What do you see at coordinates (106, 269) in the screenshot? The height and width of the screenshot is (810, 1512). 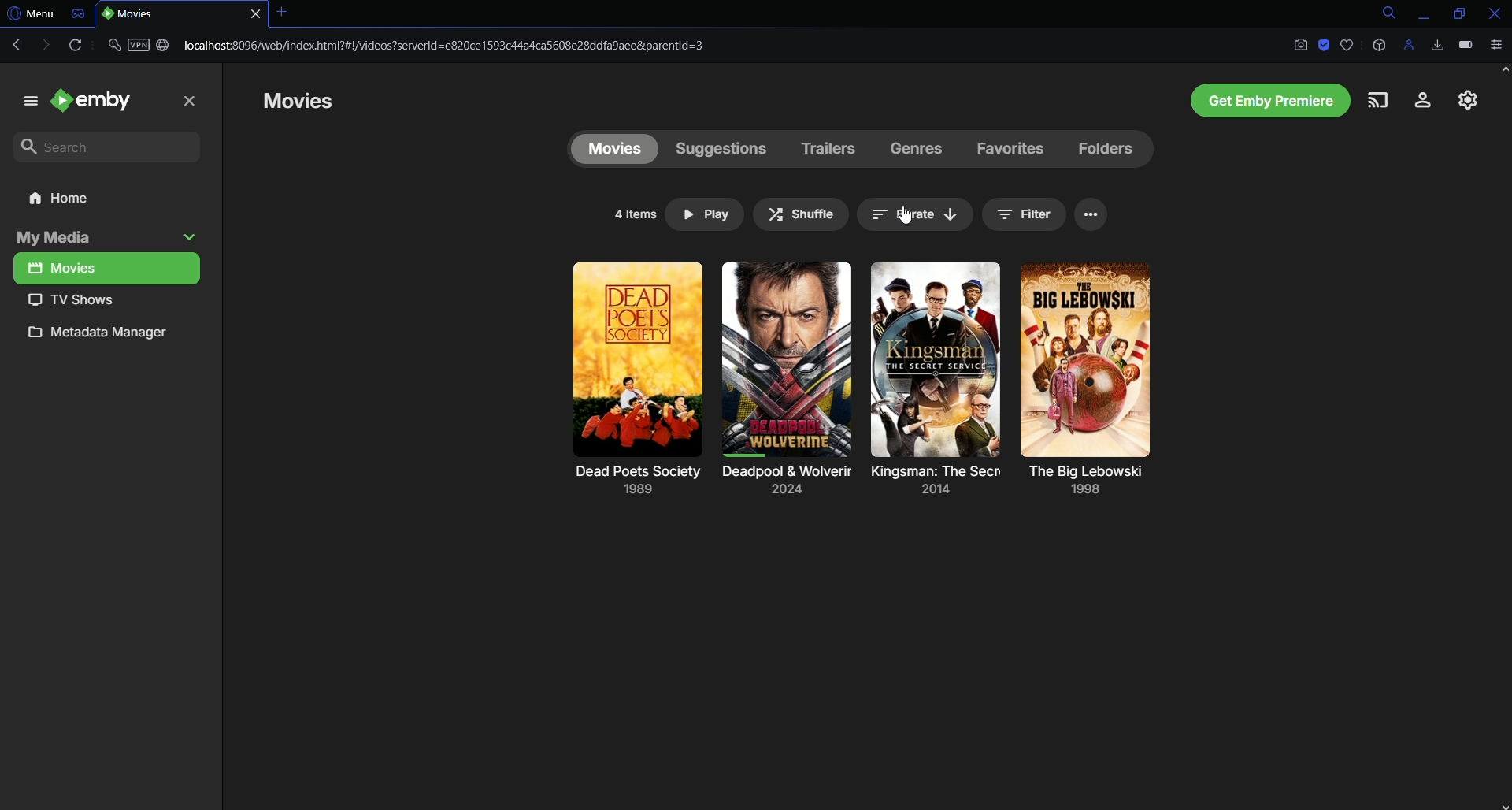 I see `Movies` at bounding box center [106, 269].